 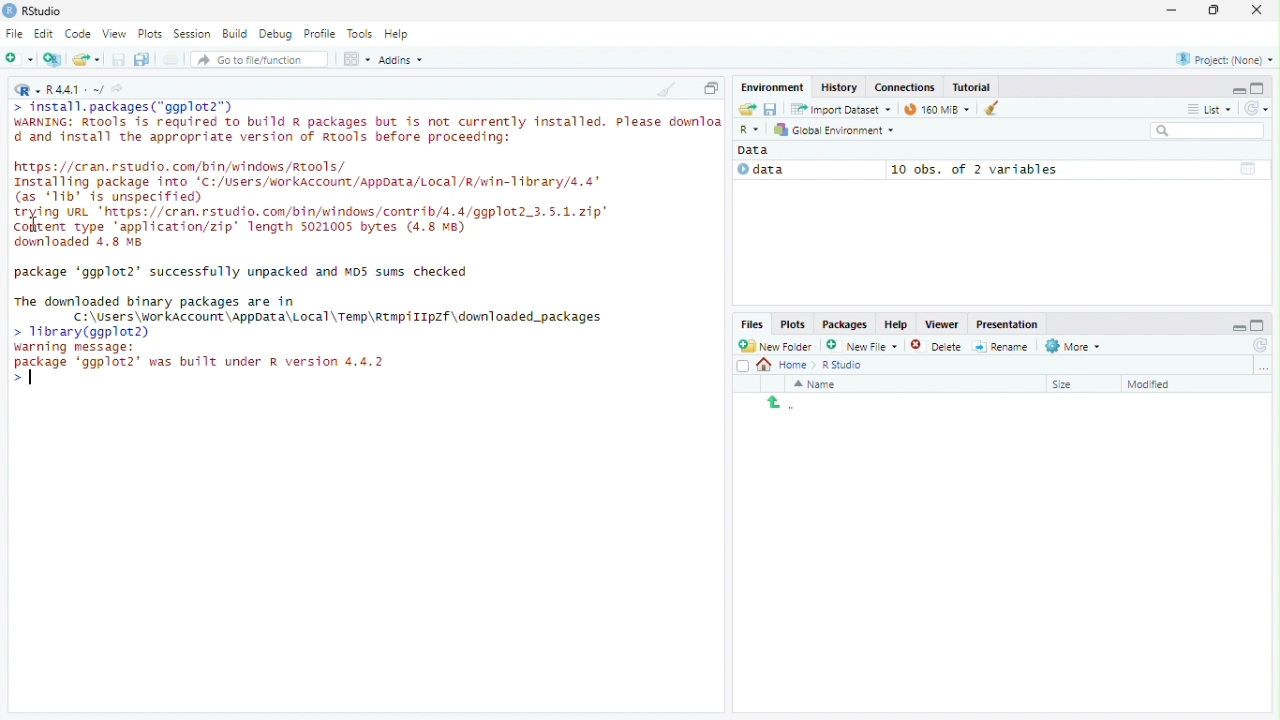 What do you see at coordinates (400, 35) in the screenshot?
I see `Help` at bounding box center [400, 35].